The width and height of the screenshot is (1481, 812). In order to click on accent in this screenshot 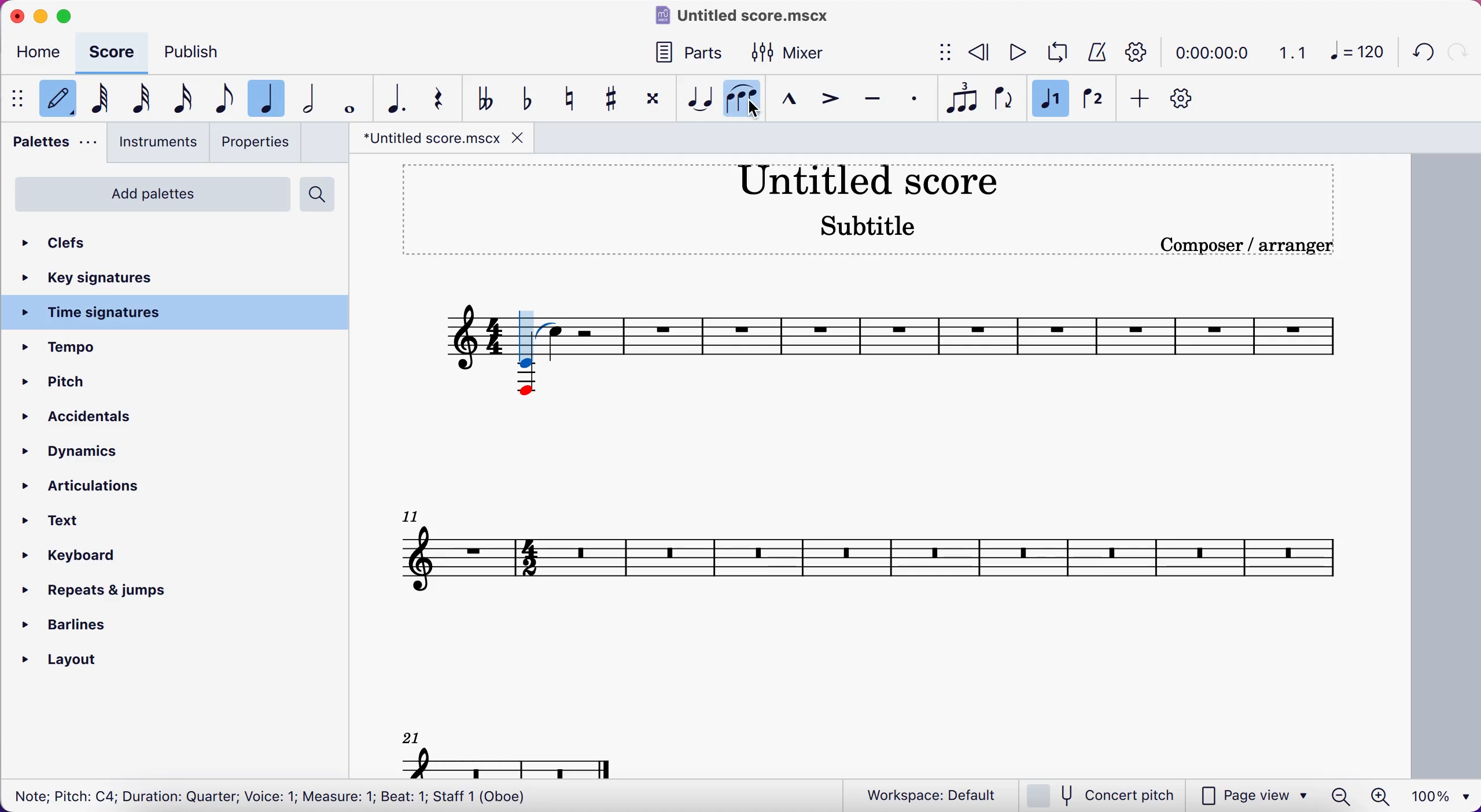, I will do `click(828, 101)`.